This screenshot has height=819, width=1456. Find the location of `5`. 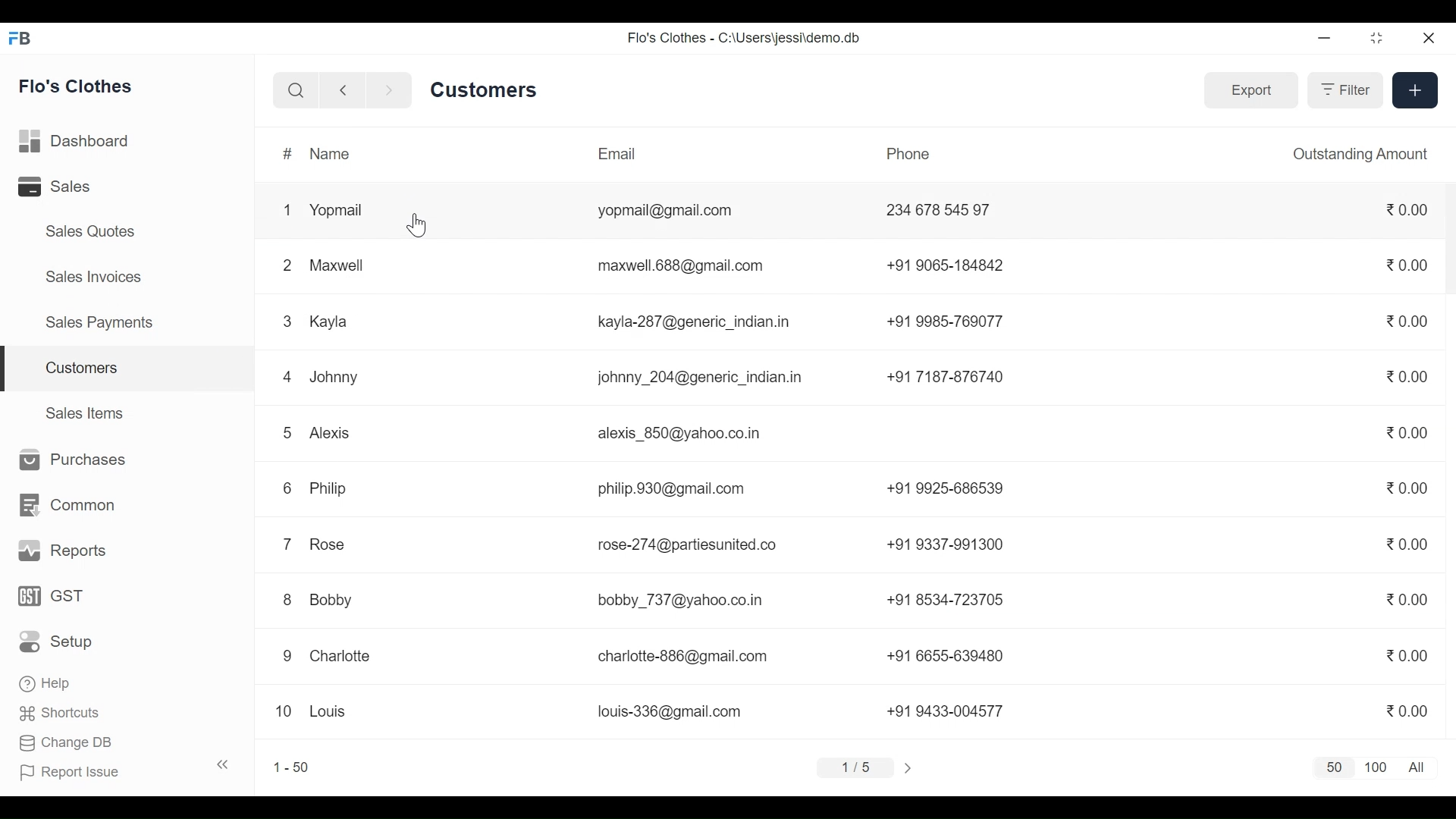

5 is located at coordinates (287, 431).